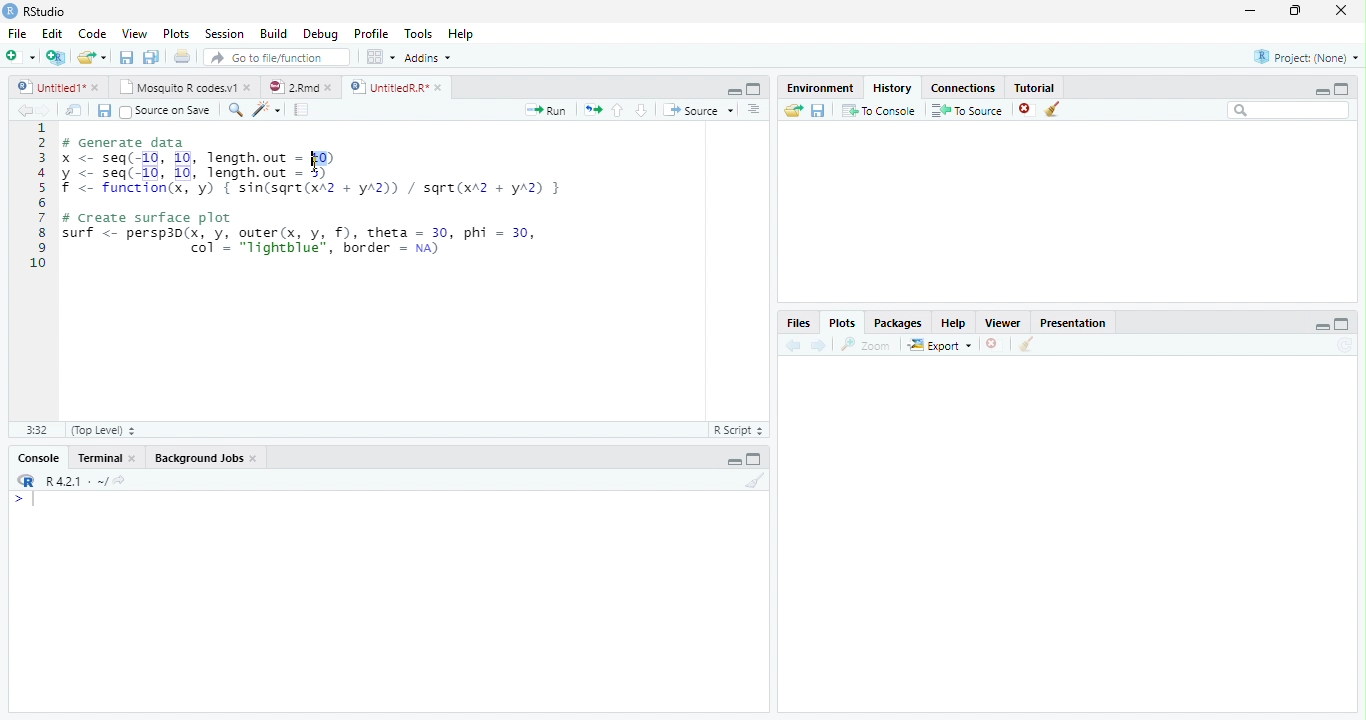  Describe the element at coordinates (320, 33) in the screenshot. I see `Debug` at that location.